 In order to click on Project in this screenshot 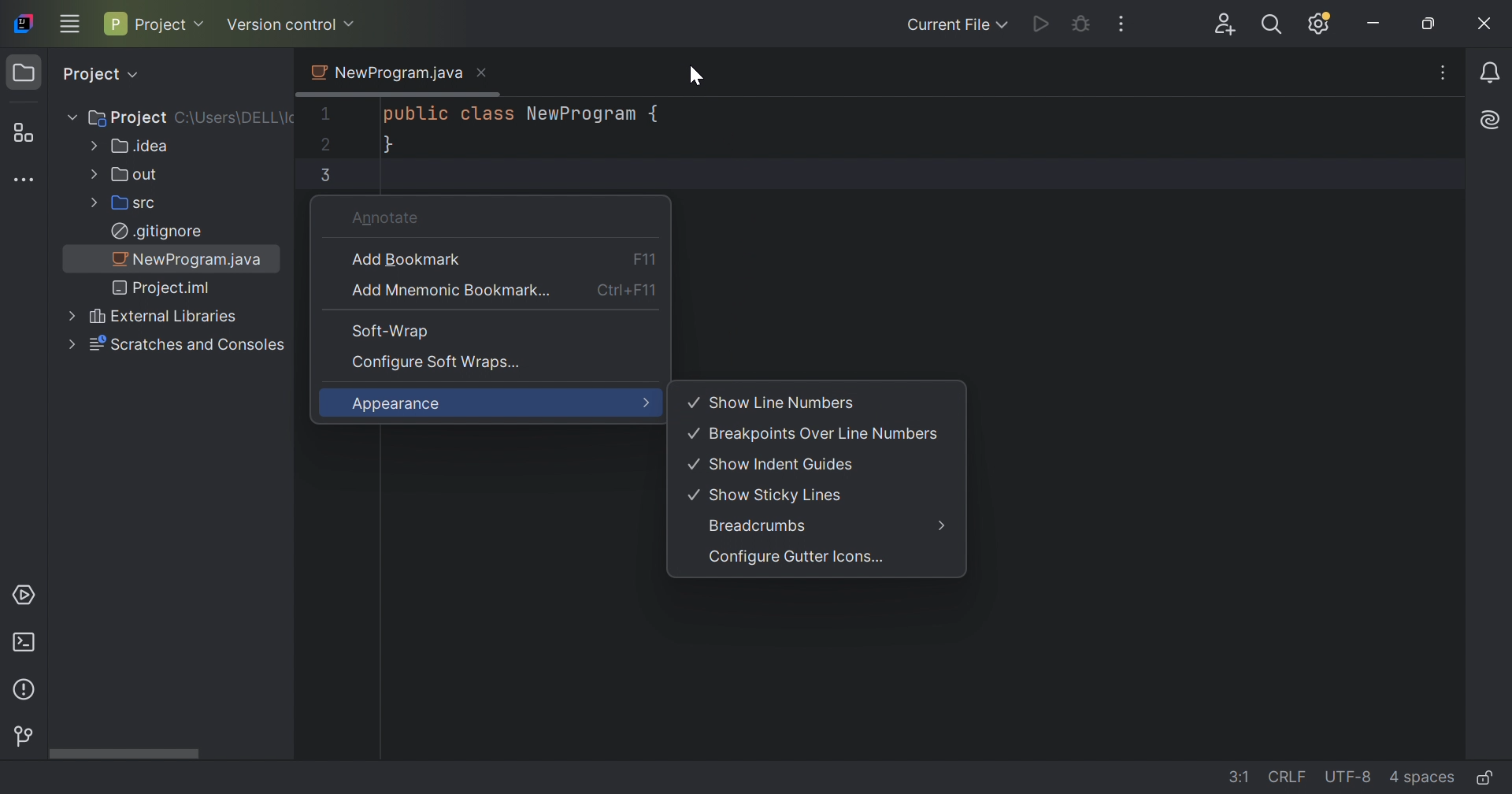, I will do `click(89, 74)`.